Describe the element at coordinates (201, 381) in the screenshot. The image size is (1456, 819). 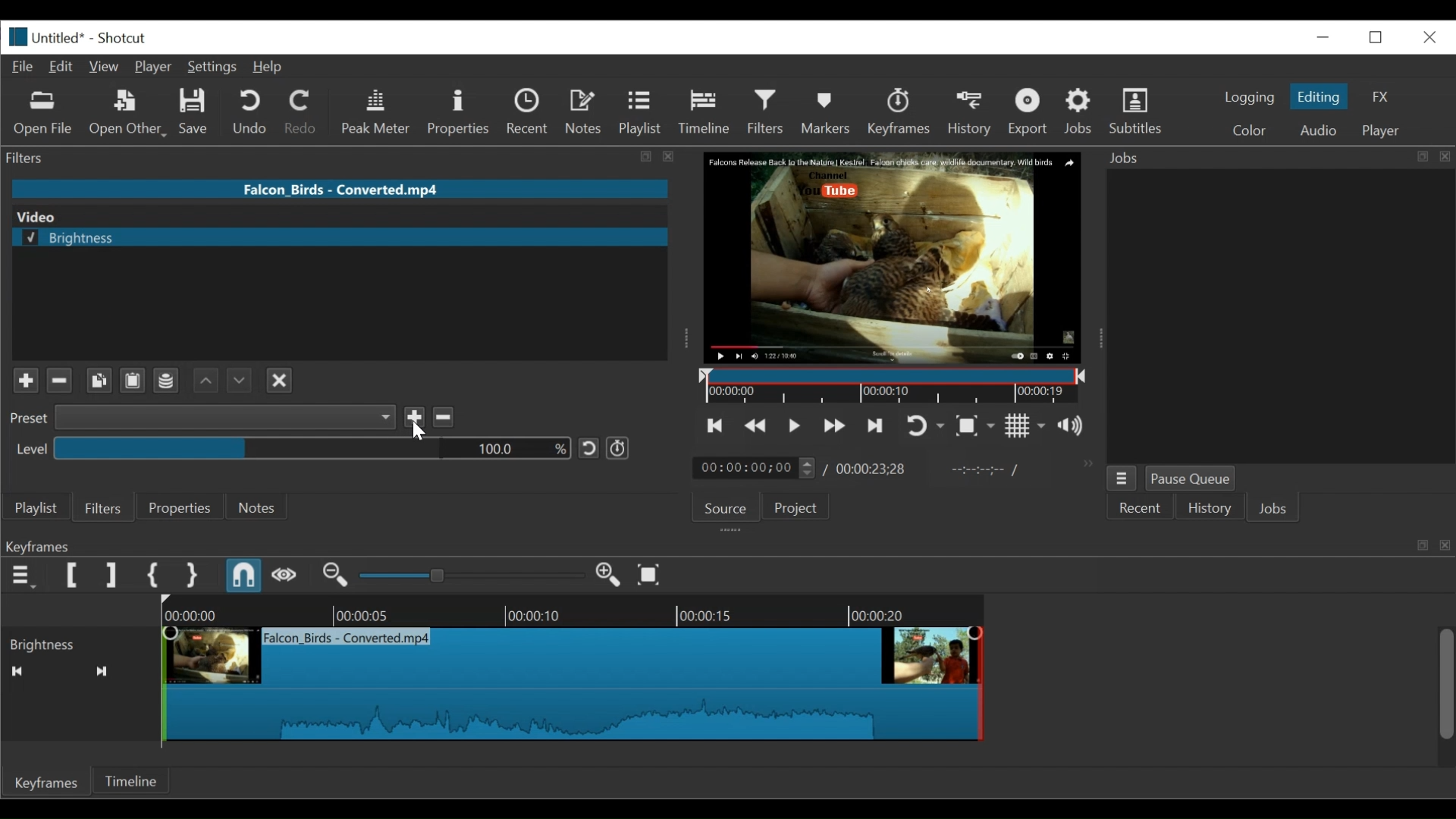
I see `Backward` at that location.